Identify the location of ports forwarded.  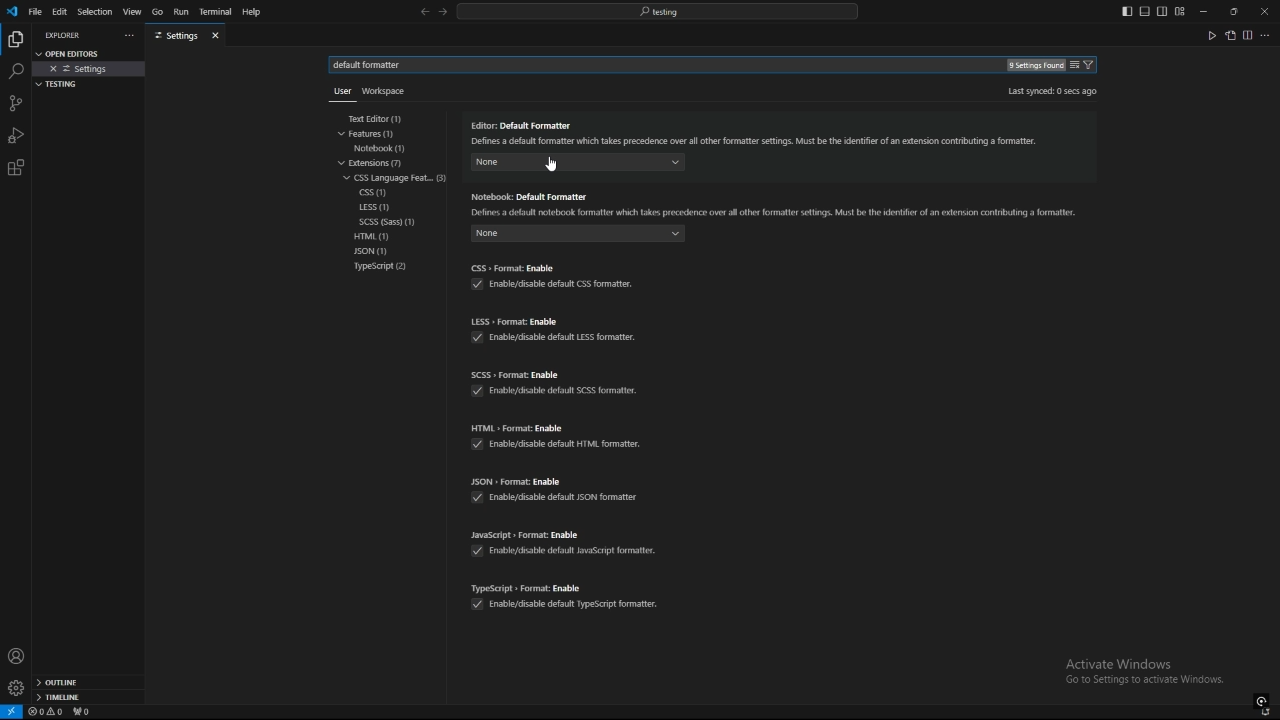
(85, 713).